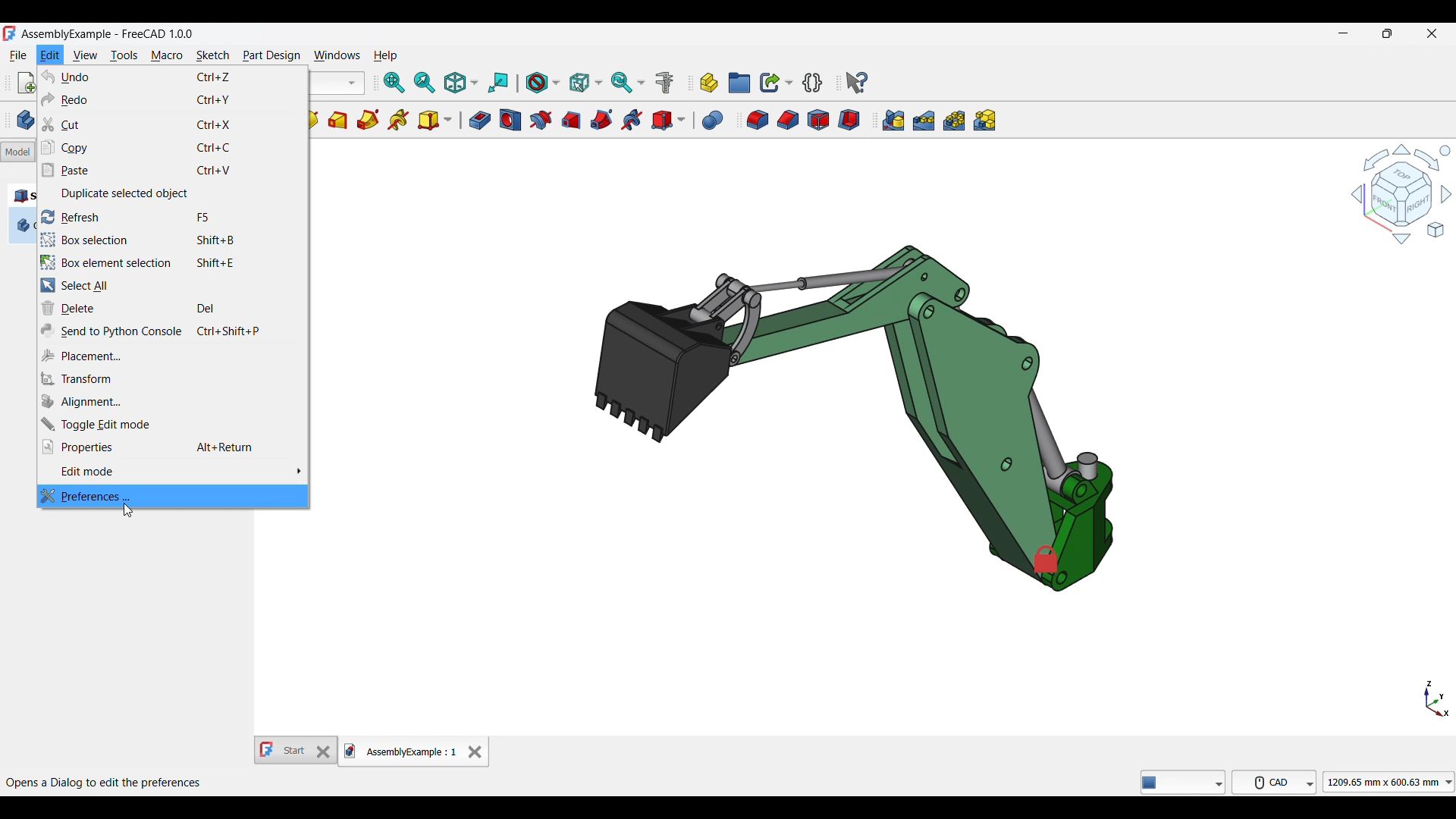 This screenshot has width=1456, height=819. Describe the element at coordinates (510, 120) in the screenshot. I see `Hole` at that location.